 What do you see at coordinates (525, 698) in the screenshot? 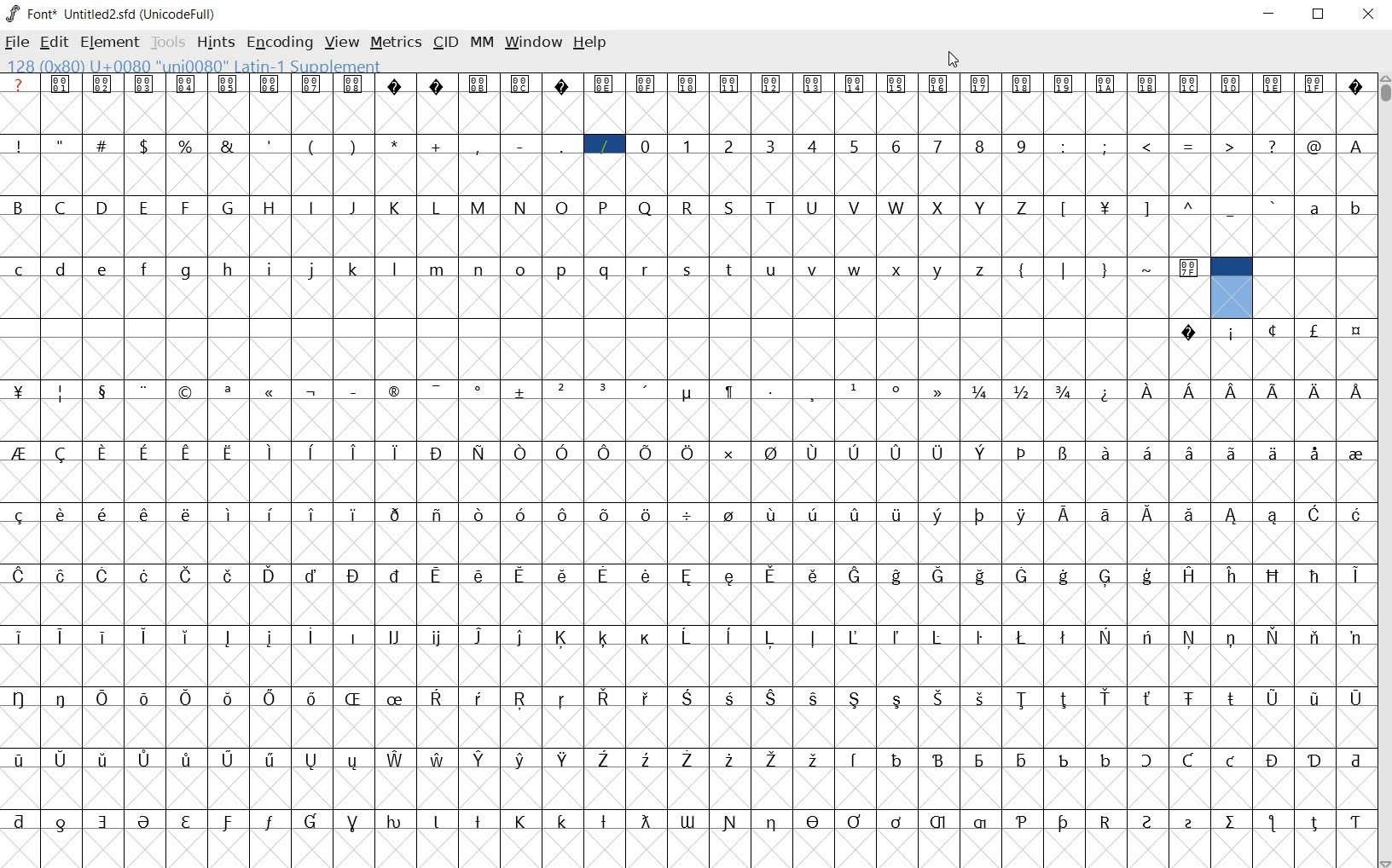
I see `Symbol` at bounding box center [525, 698].